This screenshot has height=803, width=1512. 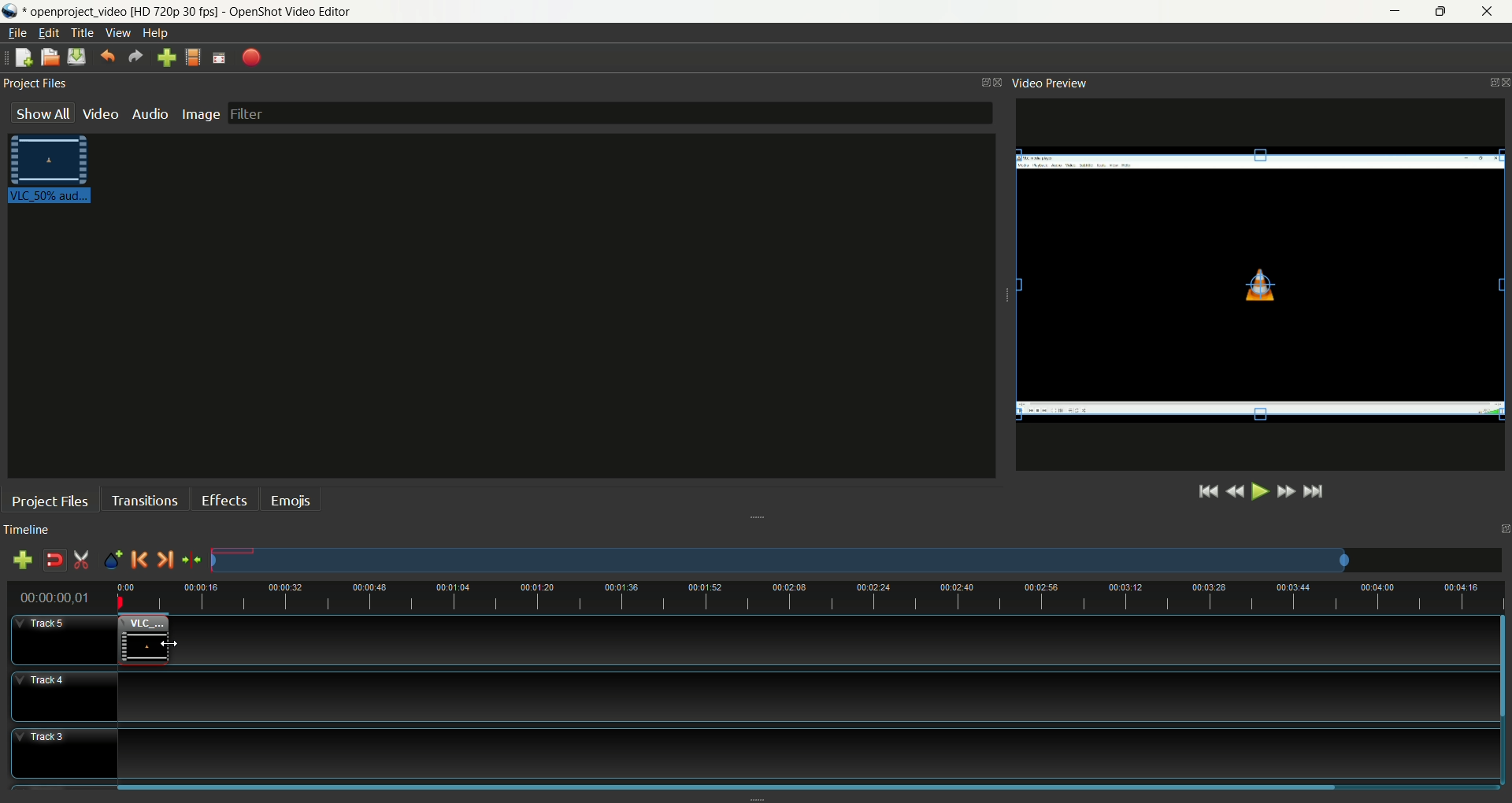 I want to click on project files, so click(x=50, y=500).